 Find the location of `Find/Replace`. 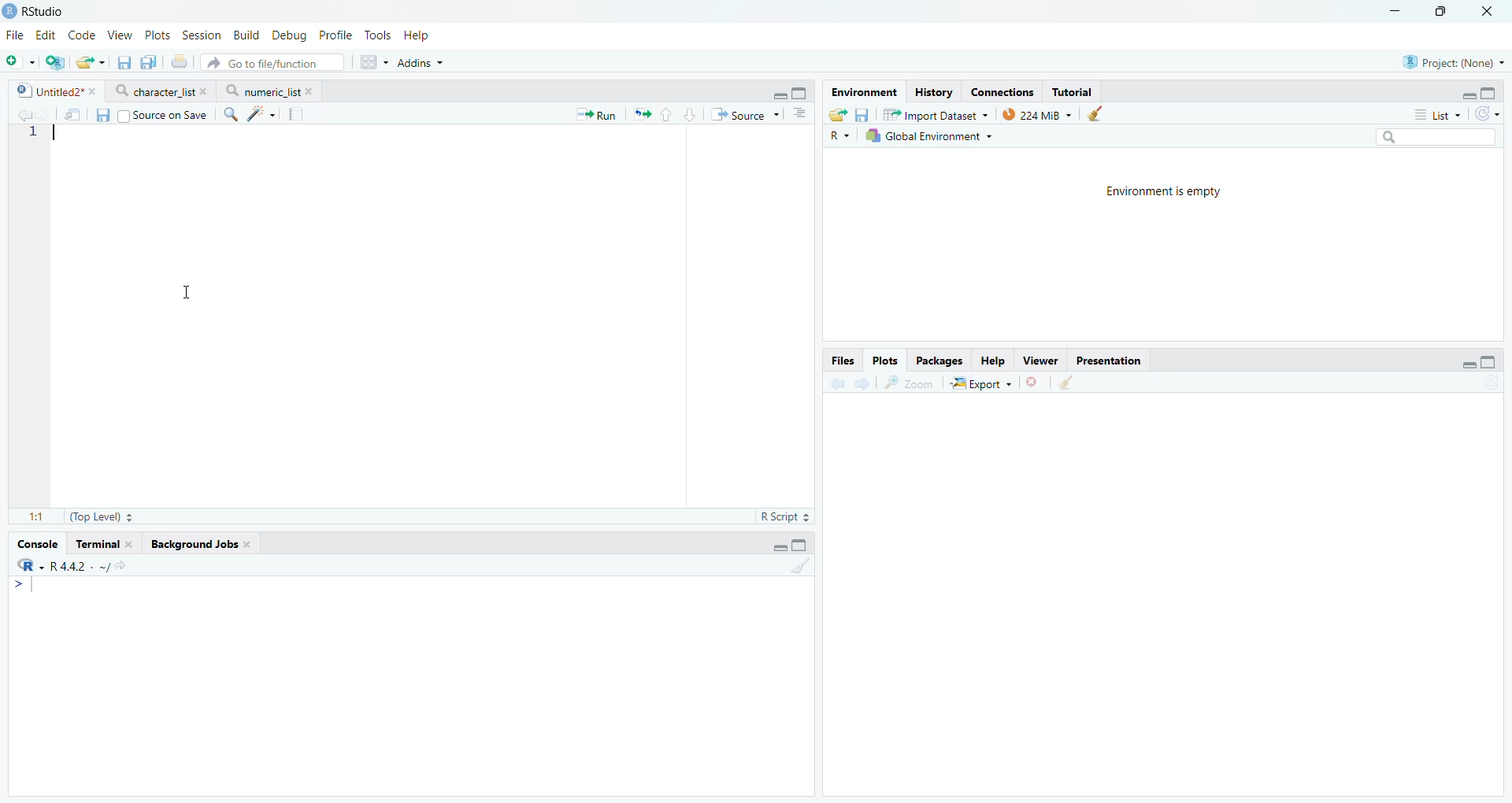

Find/Replace is located at coordinates (232, 115).